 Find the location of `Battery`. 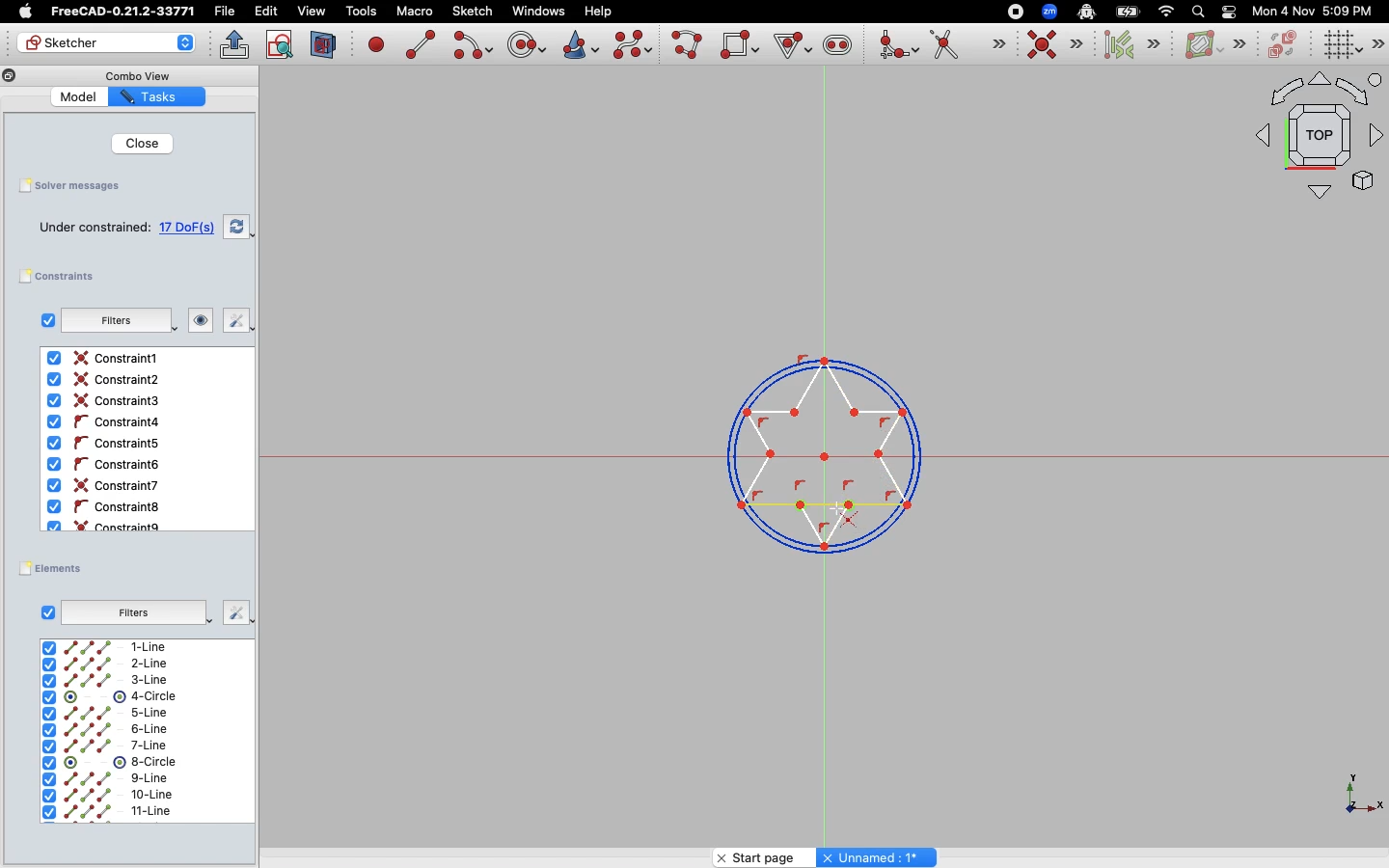

Battery is located at coordinates (1129, 11).